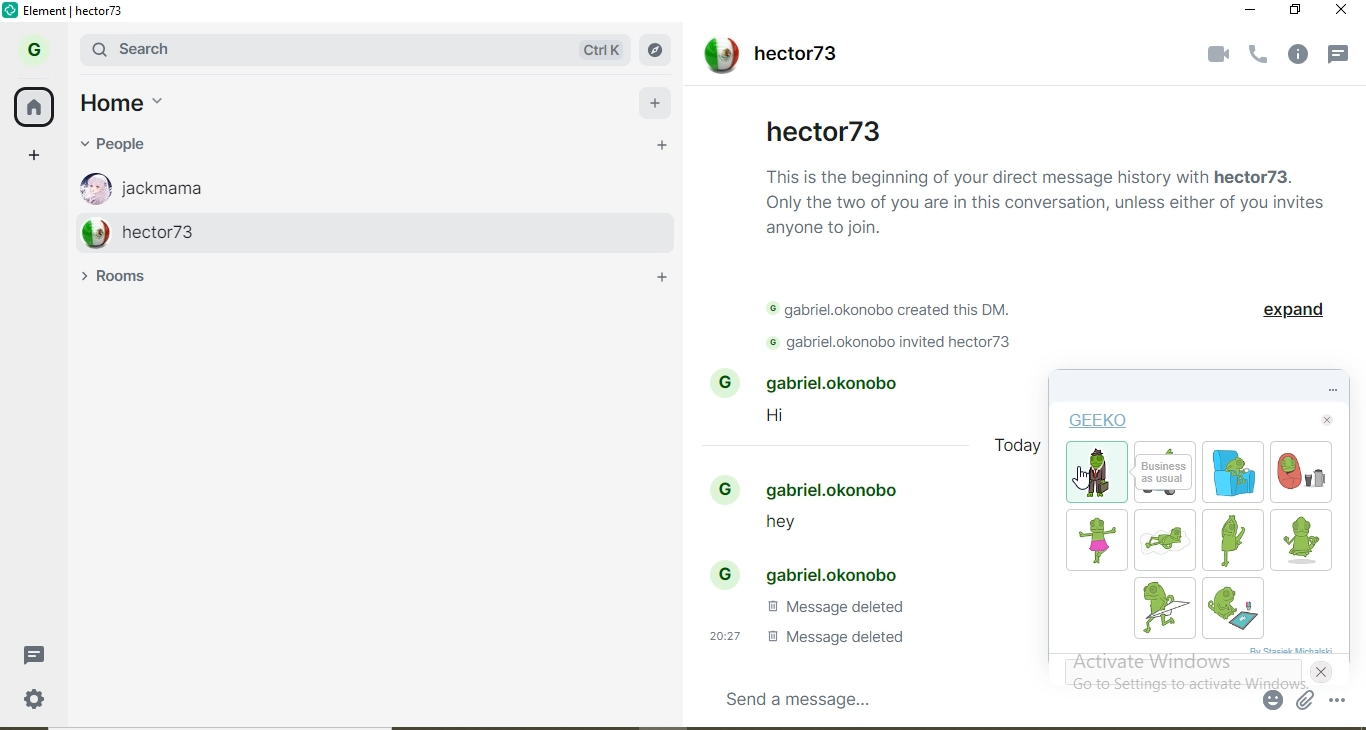  I want to click on rooms, so click(124, 277).